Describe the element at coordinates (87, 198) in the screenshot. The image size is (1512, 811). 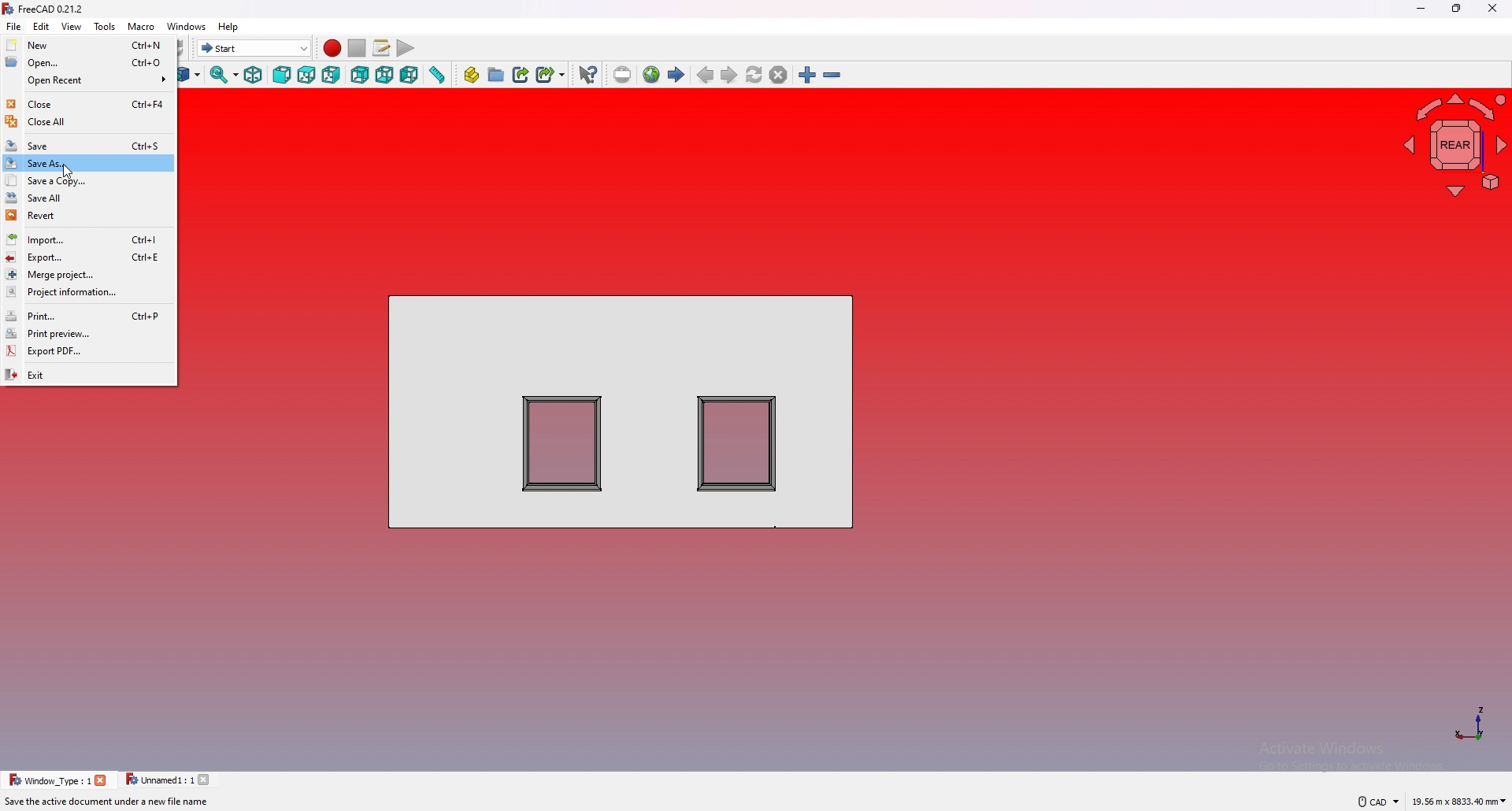
I see `save all` at that location.